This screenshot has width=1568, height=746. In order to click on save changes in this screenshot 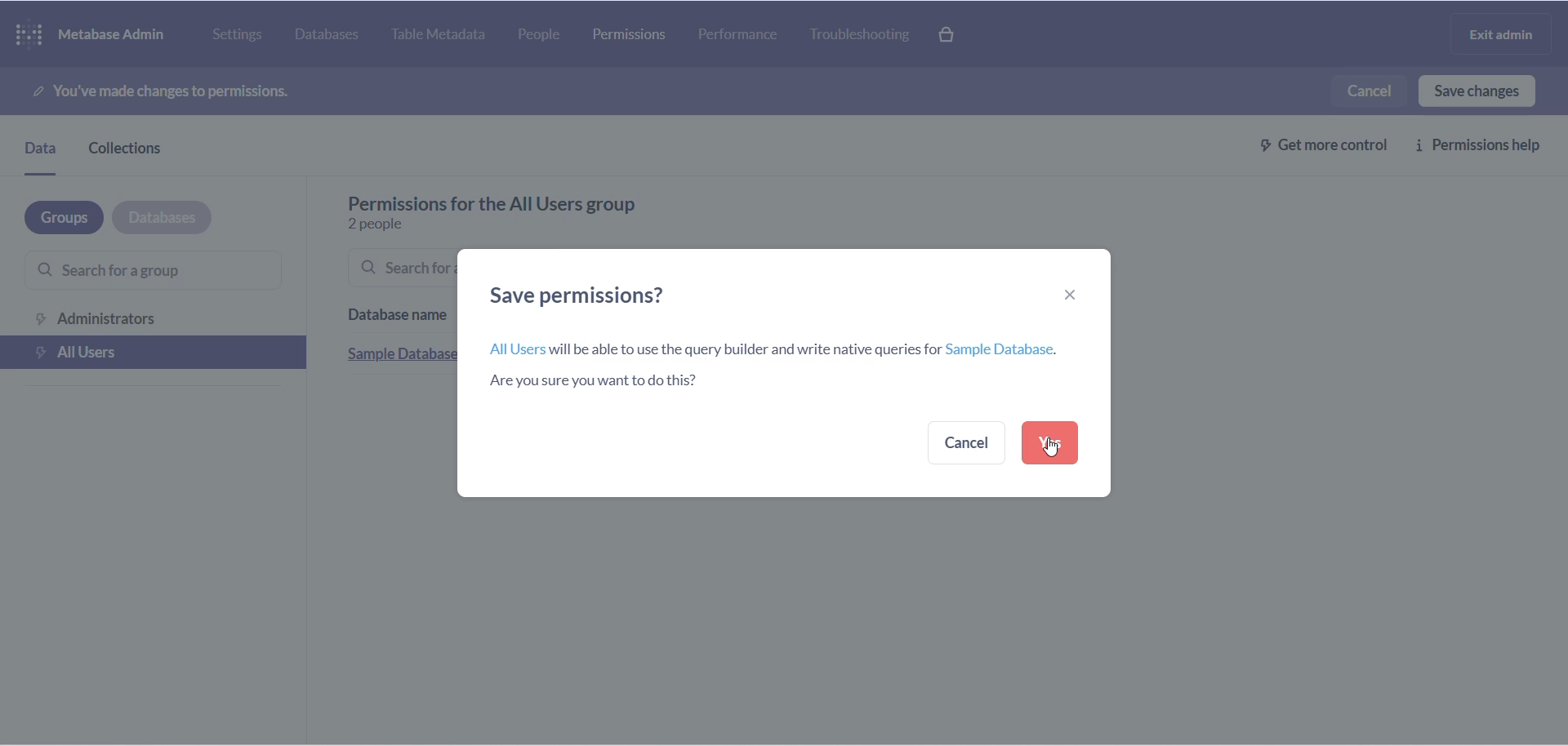, I will do `click(1476, 91)`.